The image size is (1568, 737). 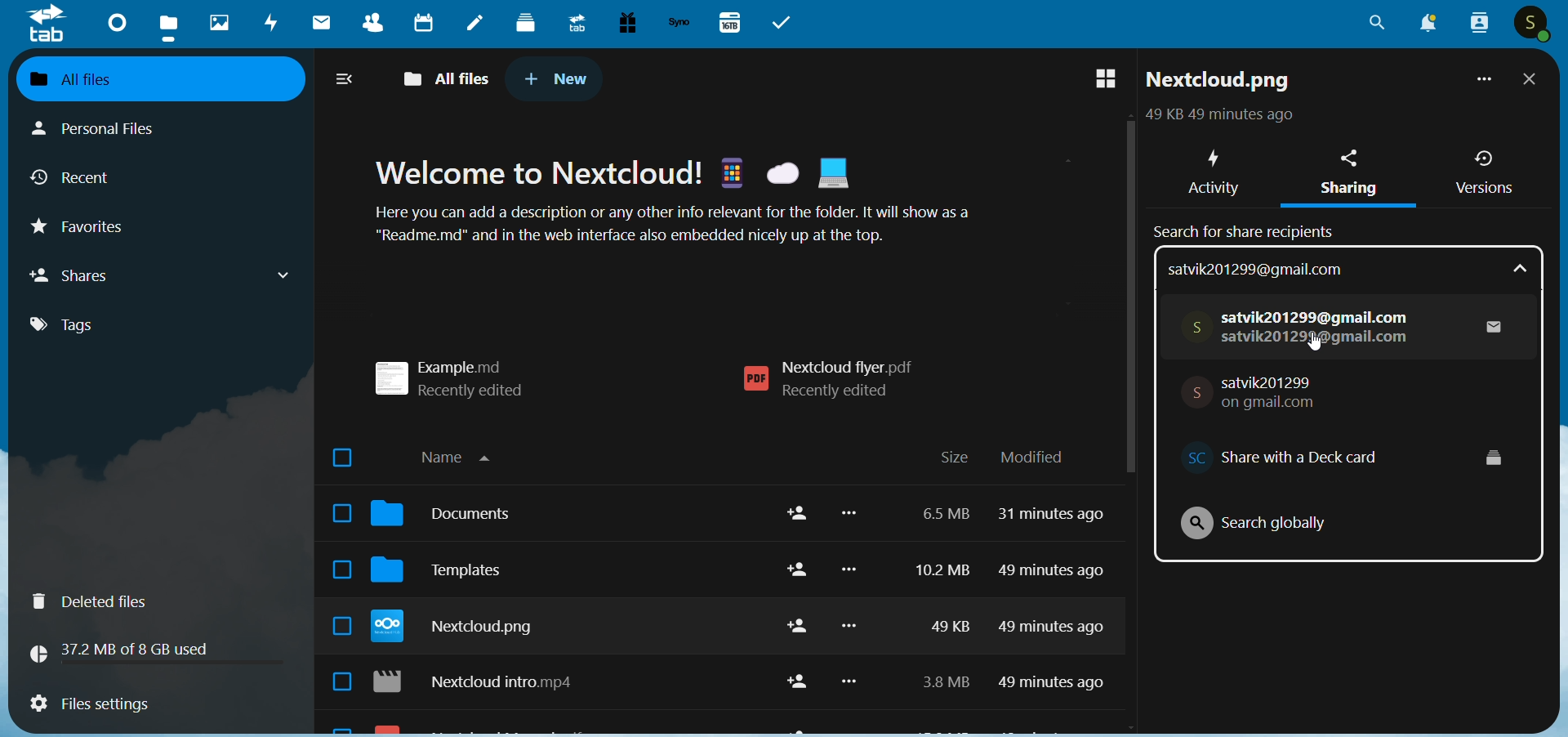 I want to click on email option 1, so click(x=1348, y=324).